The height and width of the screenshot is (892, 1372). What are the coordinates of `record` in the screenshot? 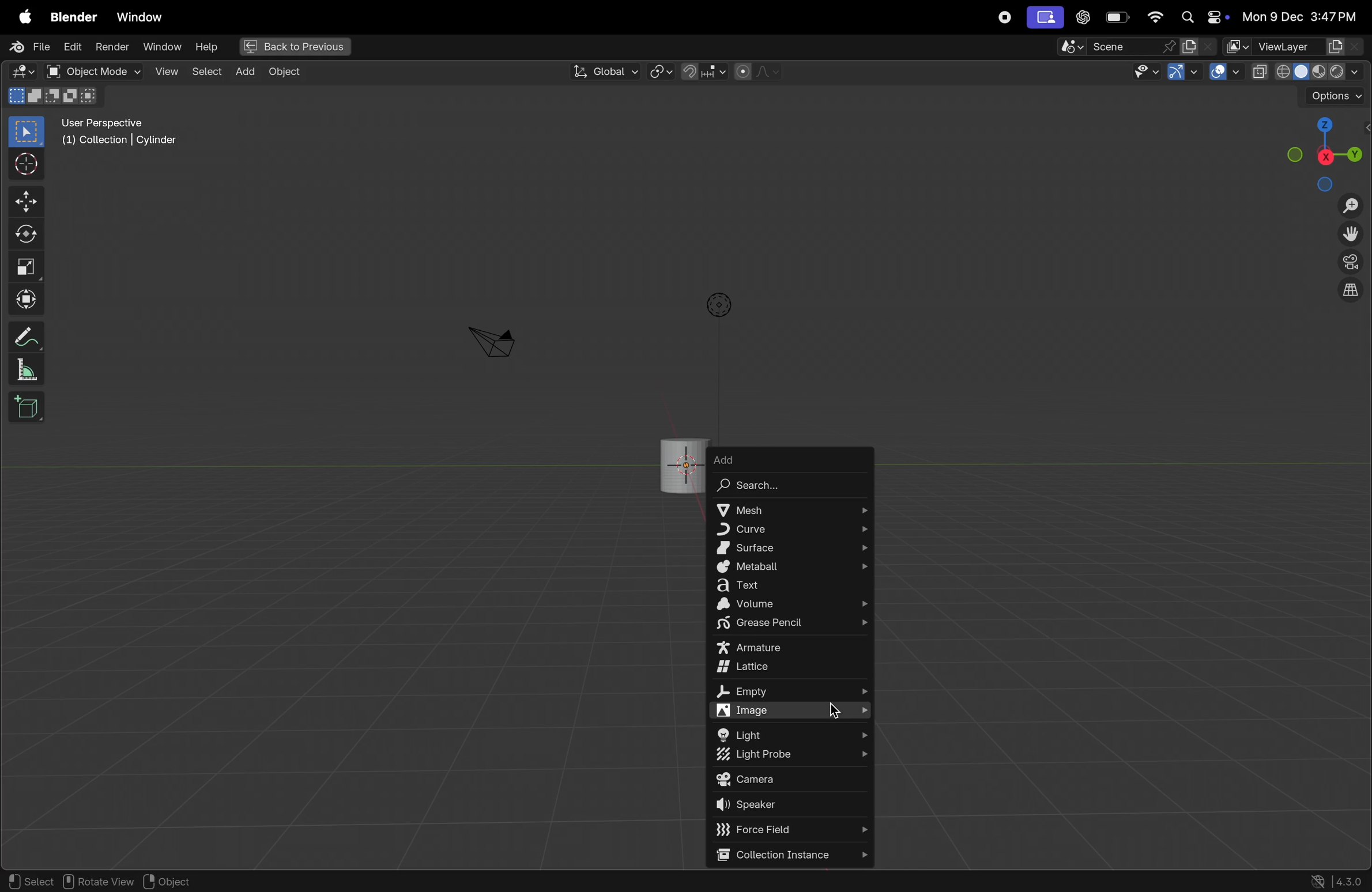 It's located at (1002, 17).